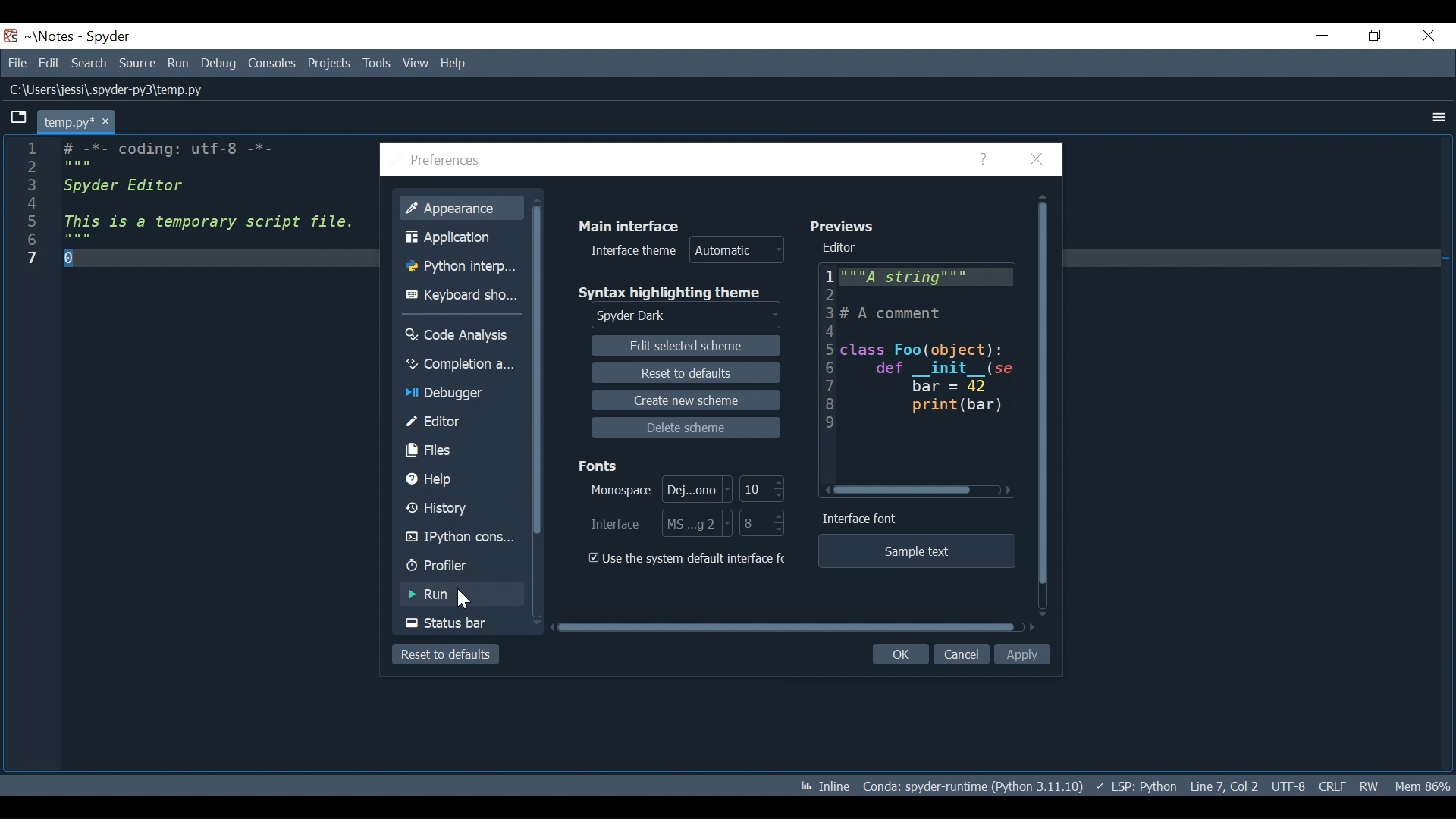 This screenshot has height=819, width=1456. I want to click on Notes, so click(46, 36).